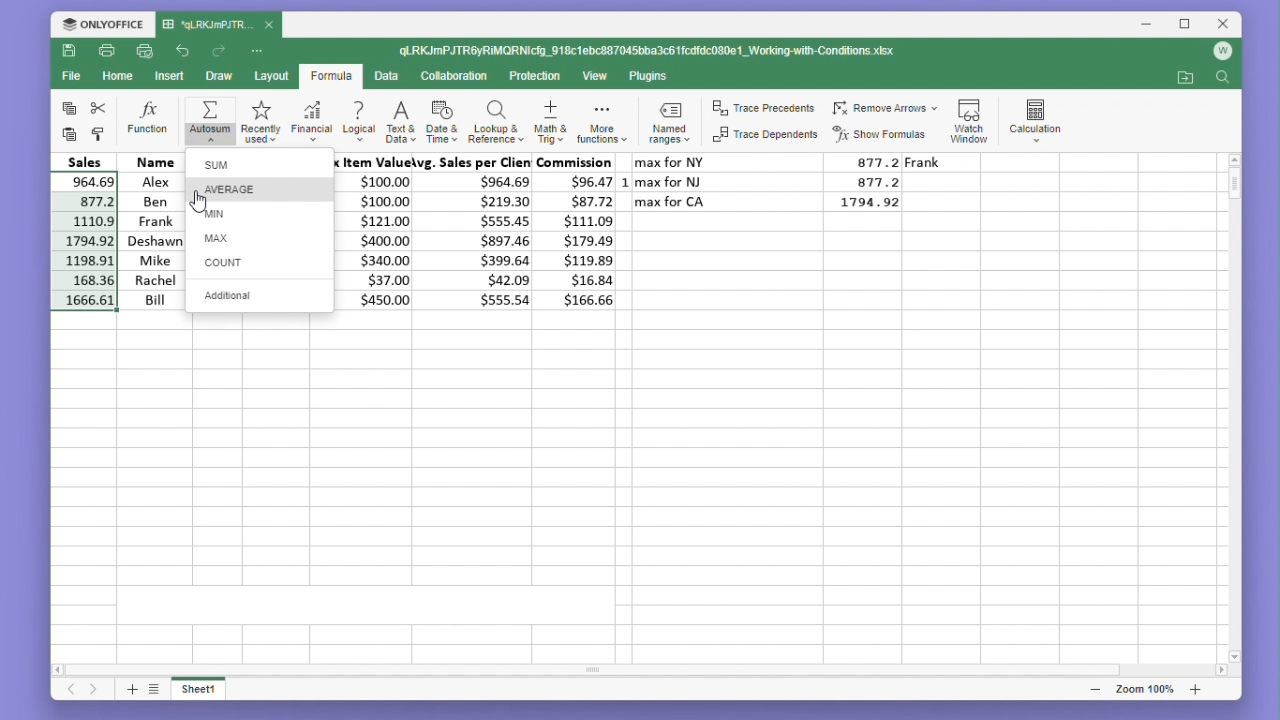 Image resolution: width=1280 pixels, height=720 pixels. Describe the element at coordinates (766, 110) in the screenshot. I see `trace precedents` at that location.